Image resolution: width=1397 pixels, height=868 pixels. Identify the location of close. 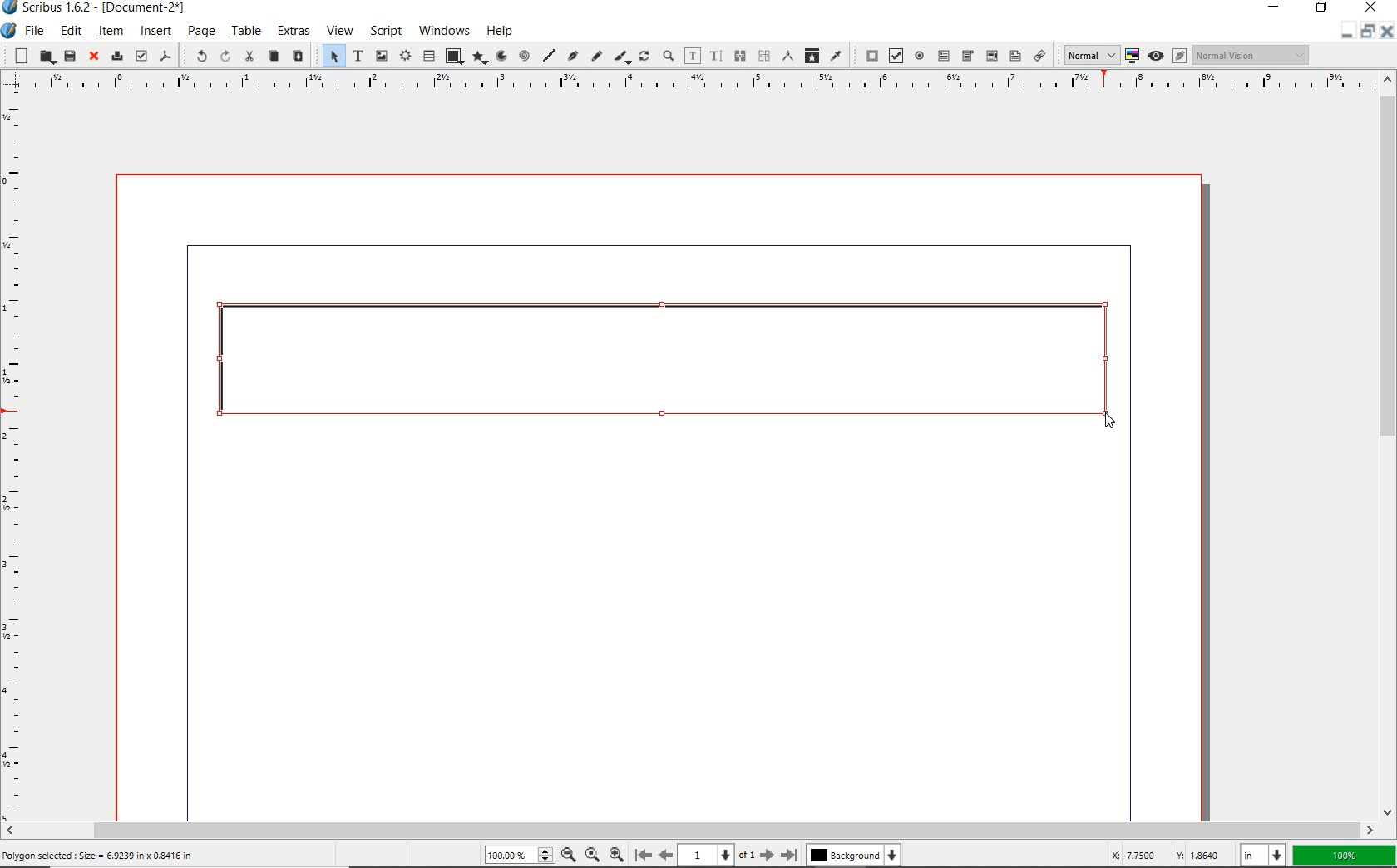
(95, 57).